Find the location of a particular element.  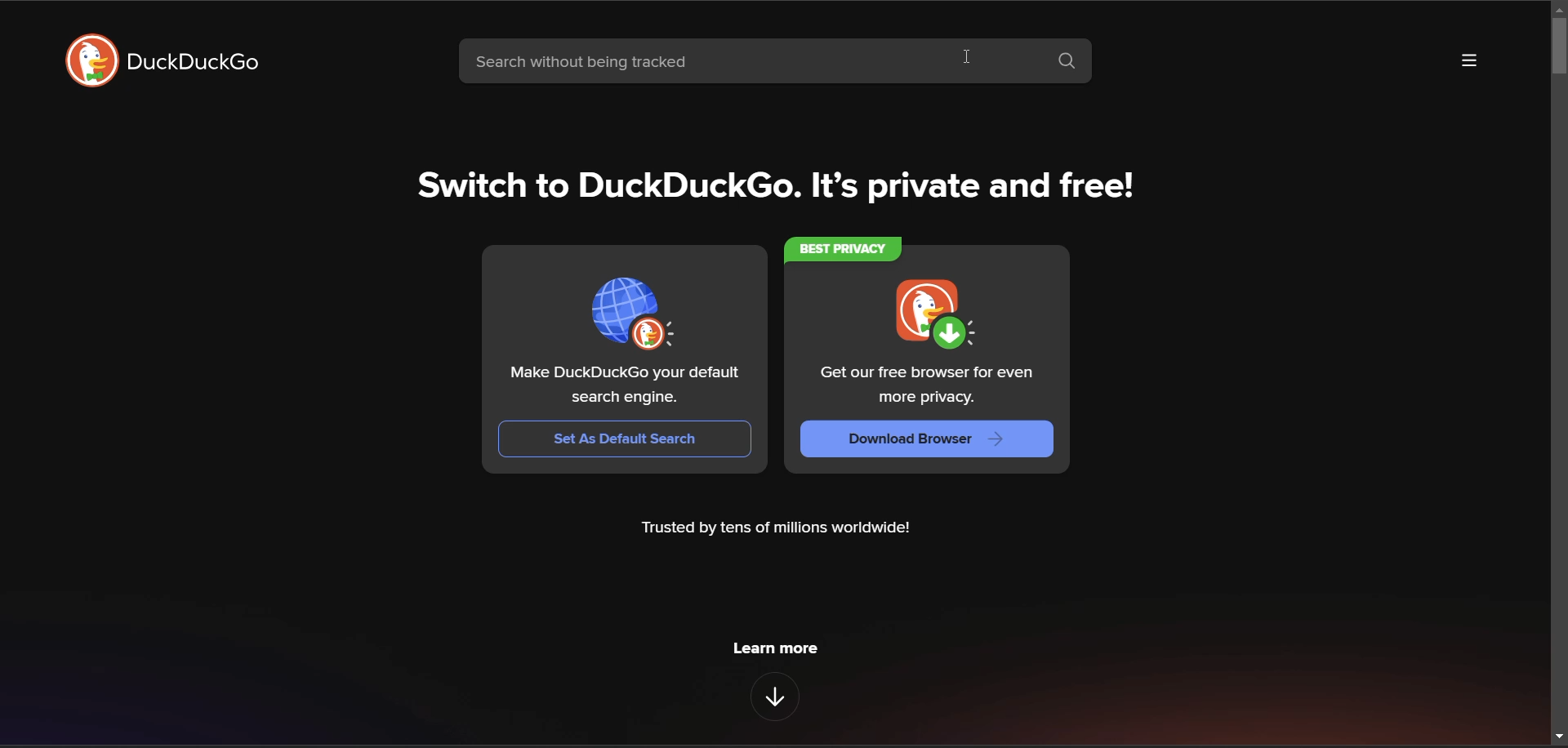

features is located at coordinates (773, 698).